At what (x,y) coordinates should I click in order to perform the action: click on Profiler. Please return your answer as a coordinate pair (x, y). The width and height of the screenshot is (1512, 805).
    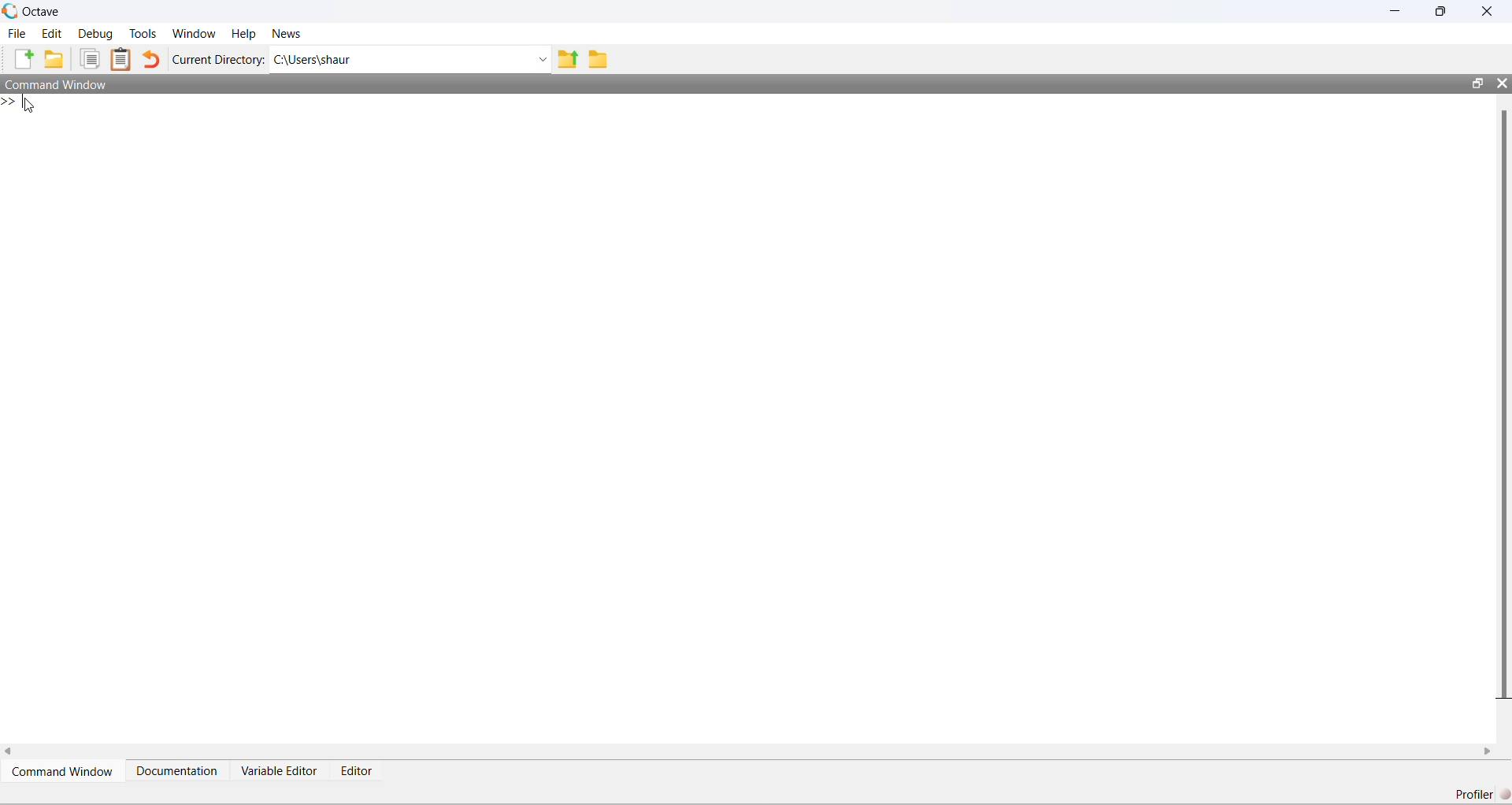
    Looking at the image, I should click on (1474, 795).